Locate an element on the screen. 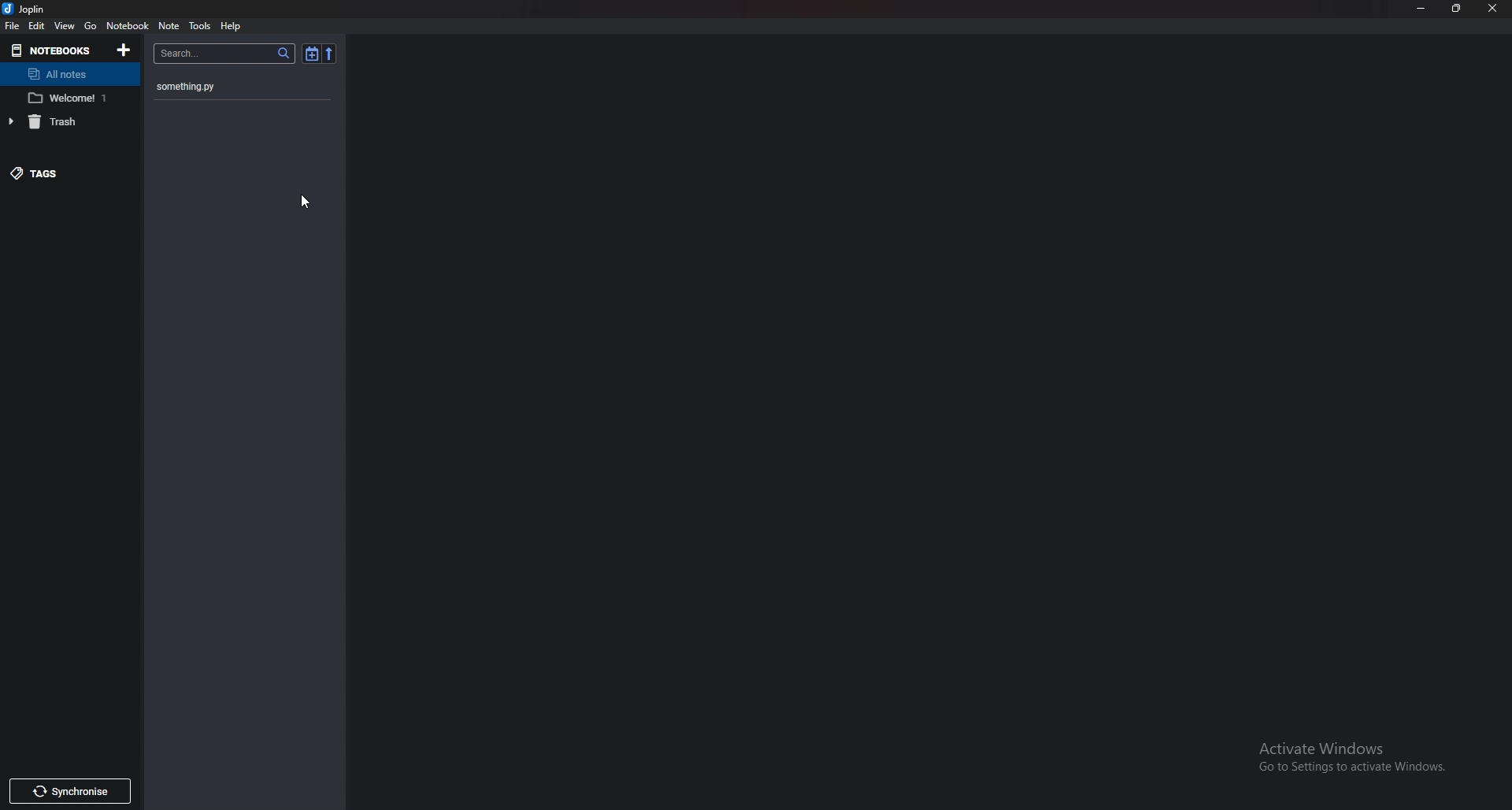 The height and width of the screenshot is (810, 1512). joplin is located at coordinates (26, 9).